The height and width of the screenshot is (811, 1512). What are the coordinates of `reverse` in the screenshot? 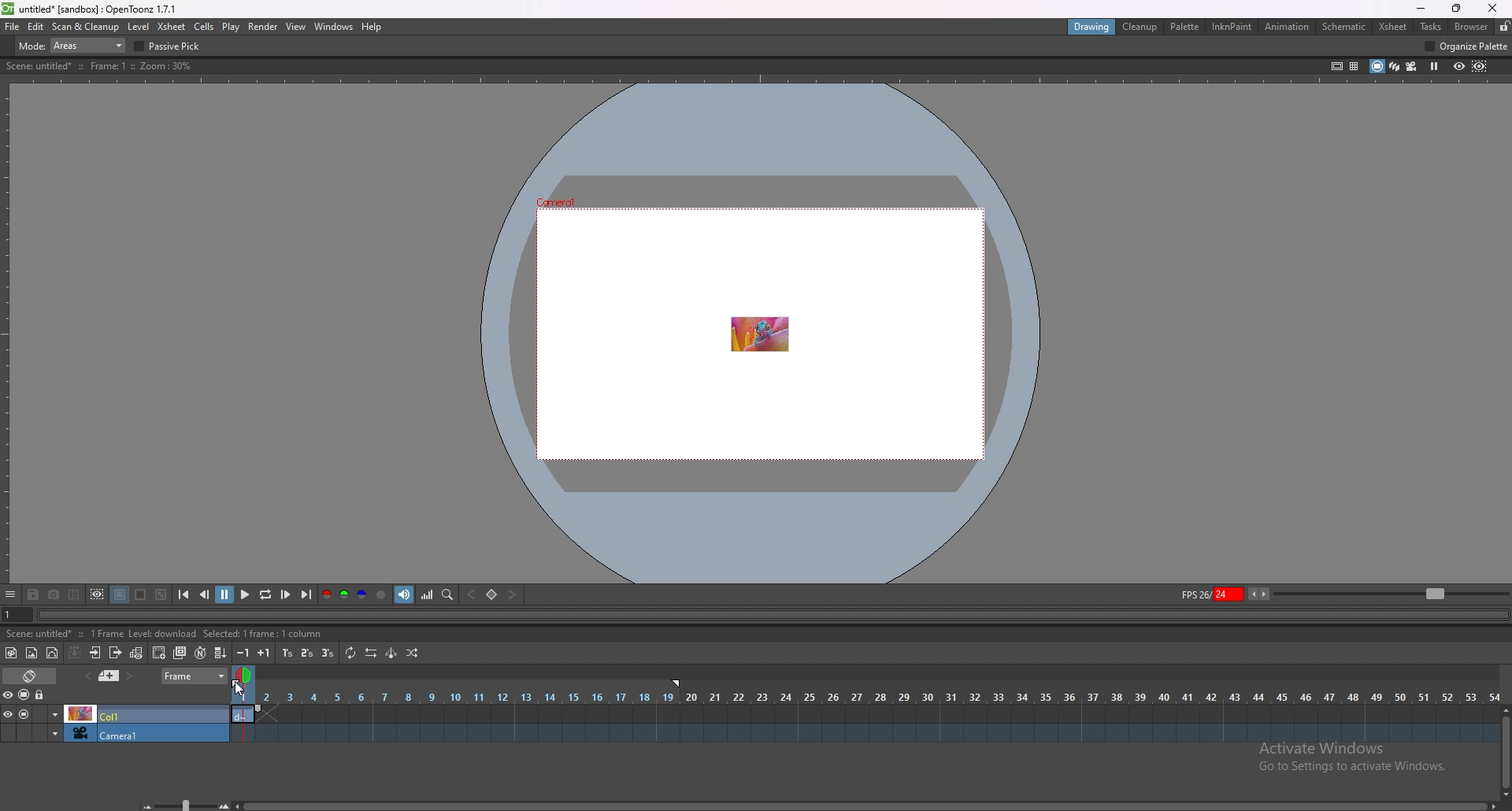 It's located at (372, 653).